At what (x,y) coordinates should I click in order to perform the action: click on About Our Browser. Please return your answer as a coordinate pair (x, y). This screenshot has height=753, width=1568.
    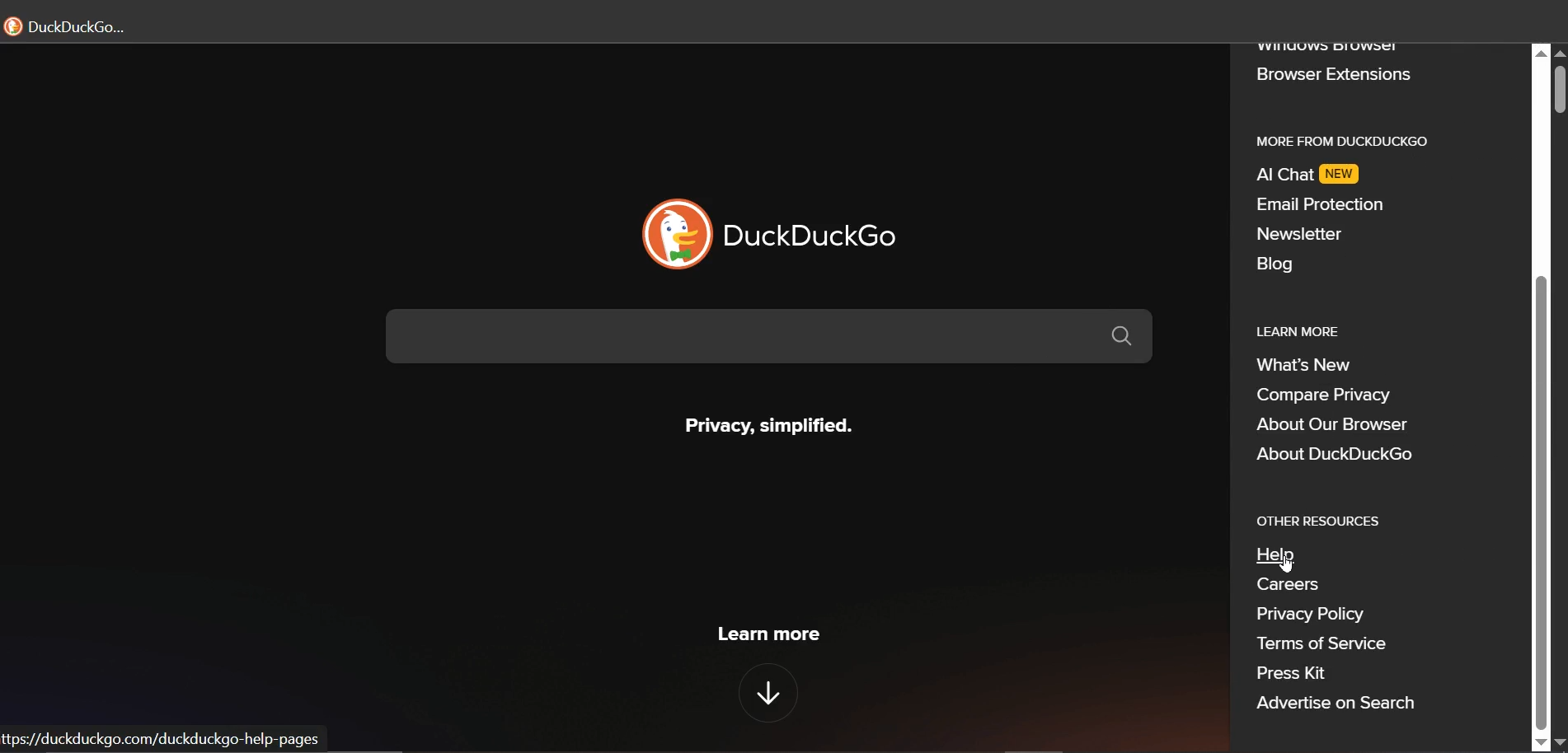
    Looking at the image, I should click on (1331, 423).